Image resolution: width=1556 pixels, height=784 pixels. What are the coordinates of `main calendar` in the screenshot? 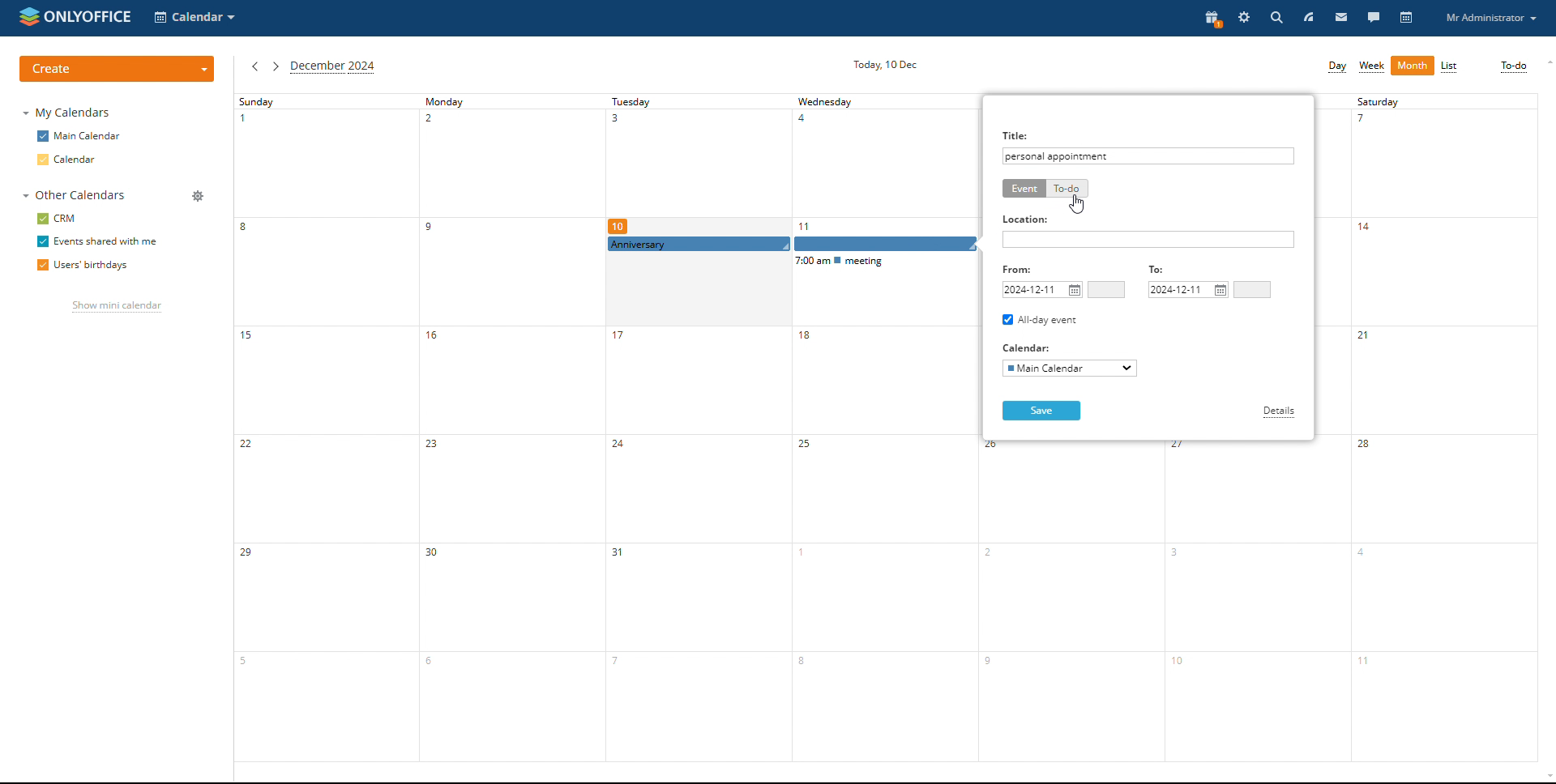 It's located at (79, 136).